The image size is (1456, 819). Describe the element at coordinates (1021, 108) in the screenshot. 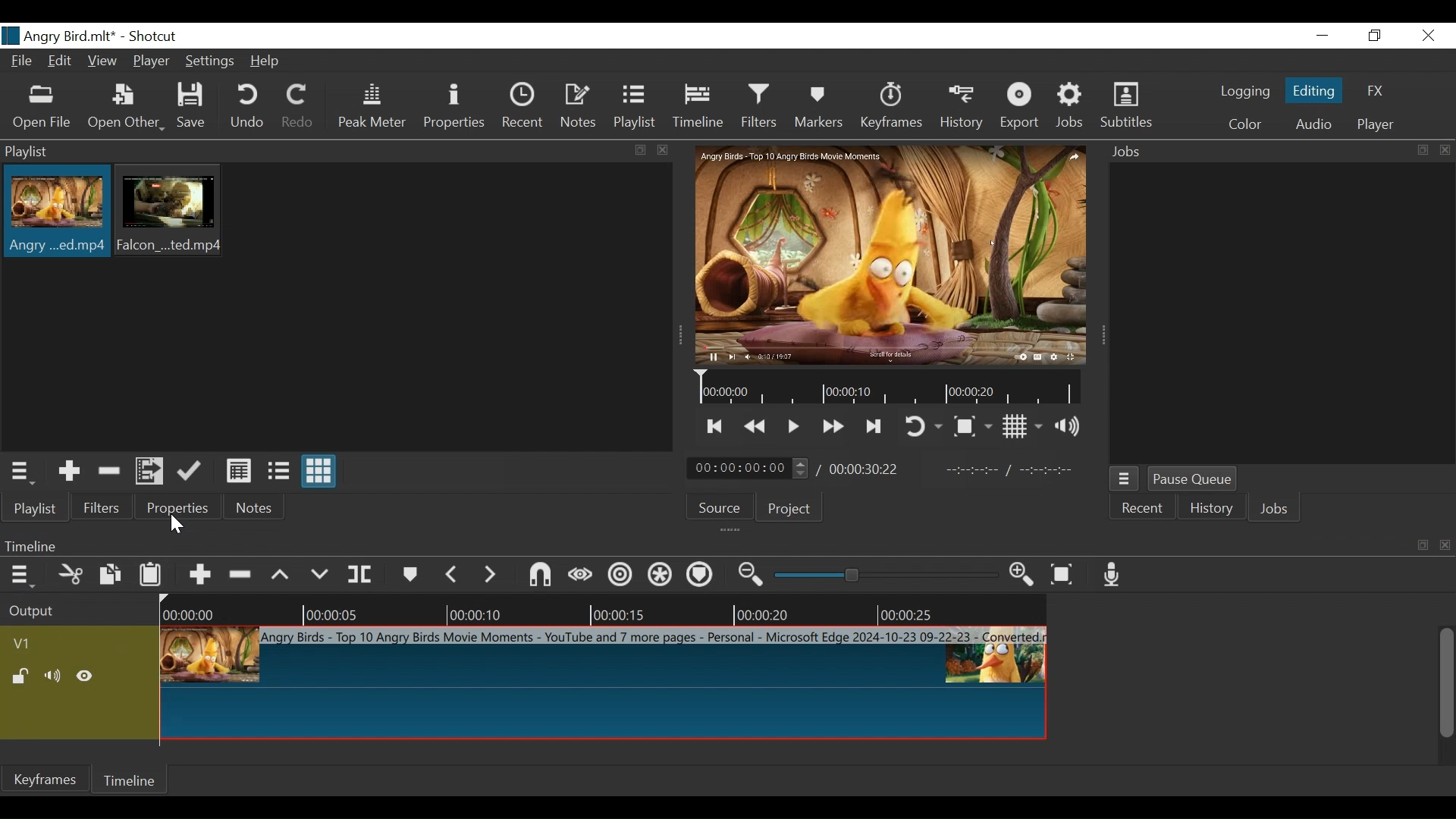

I see `Export` at that location.